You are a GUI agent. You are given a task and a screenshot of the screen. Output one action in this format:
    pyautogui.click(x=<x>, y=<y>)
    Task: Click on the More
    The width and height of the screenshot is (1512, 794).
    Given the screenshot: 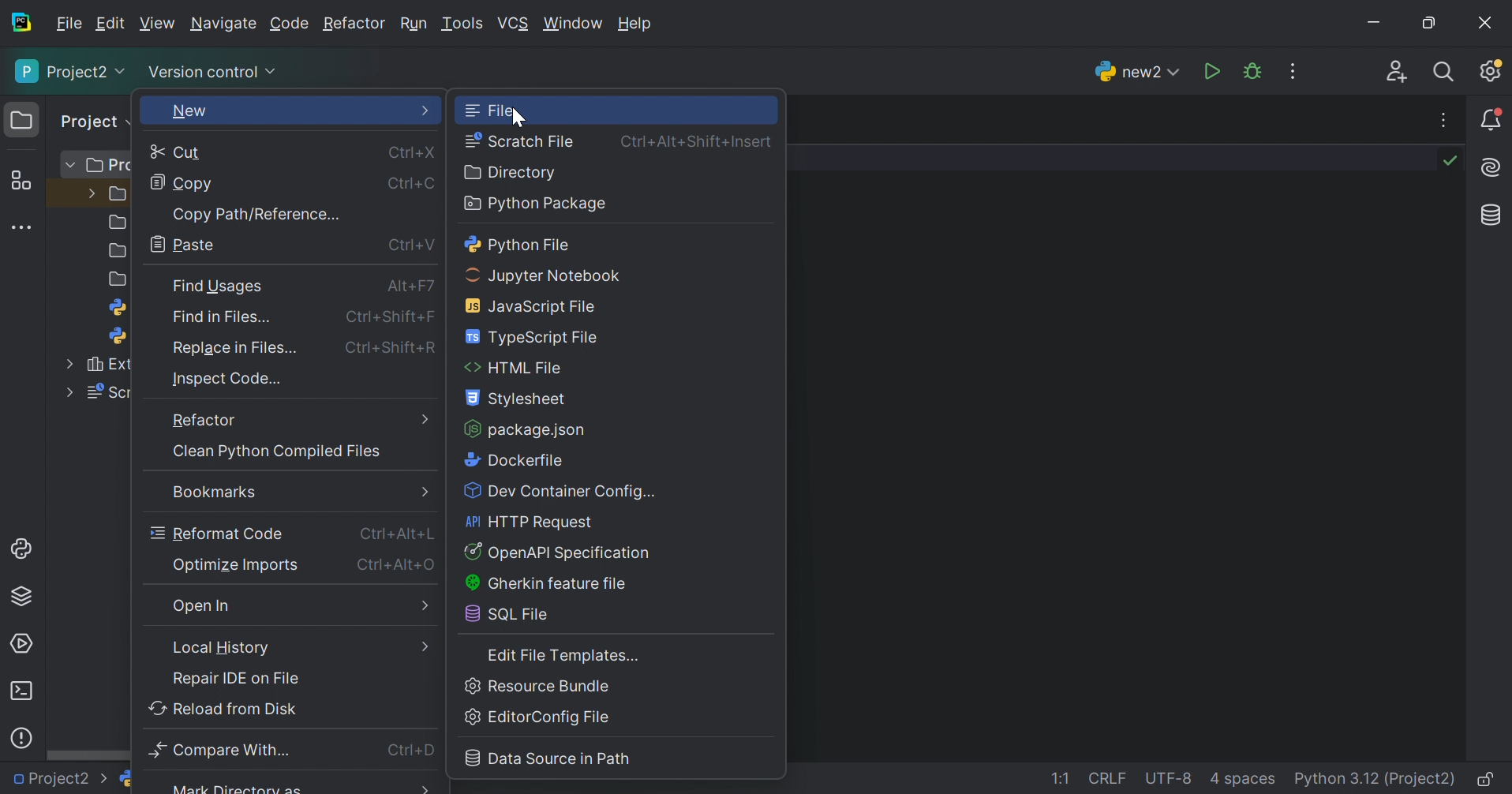 What is the action you would take?
    pyautogui.click(x=424, y=491)
    